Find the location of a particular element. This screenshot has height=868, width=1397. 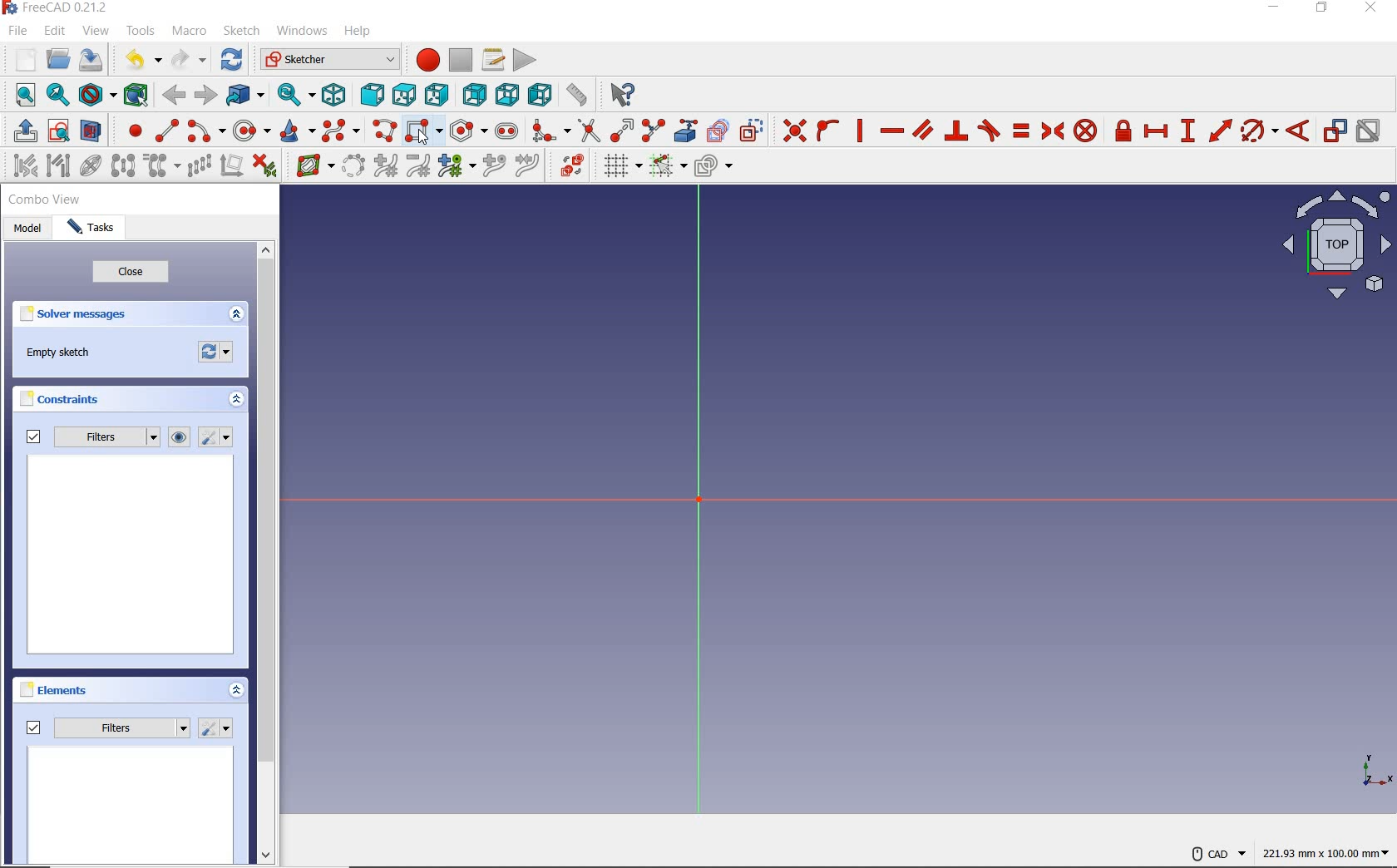

bounding box is located at coordinates (133, 94).